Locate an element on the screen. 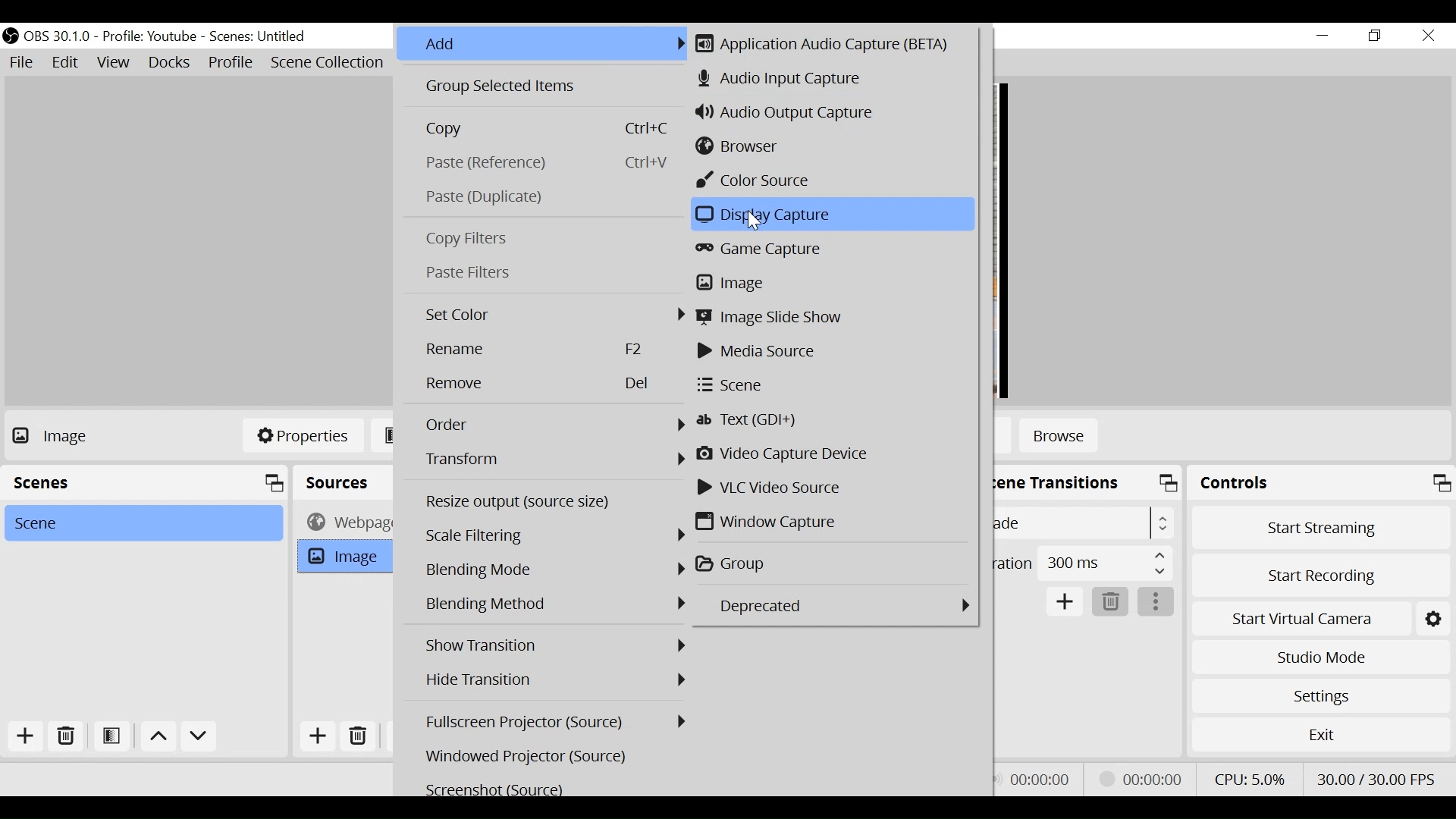  Hide Transition is located at coordinates (553, 679).